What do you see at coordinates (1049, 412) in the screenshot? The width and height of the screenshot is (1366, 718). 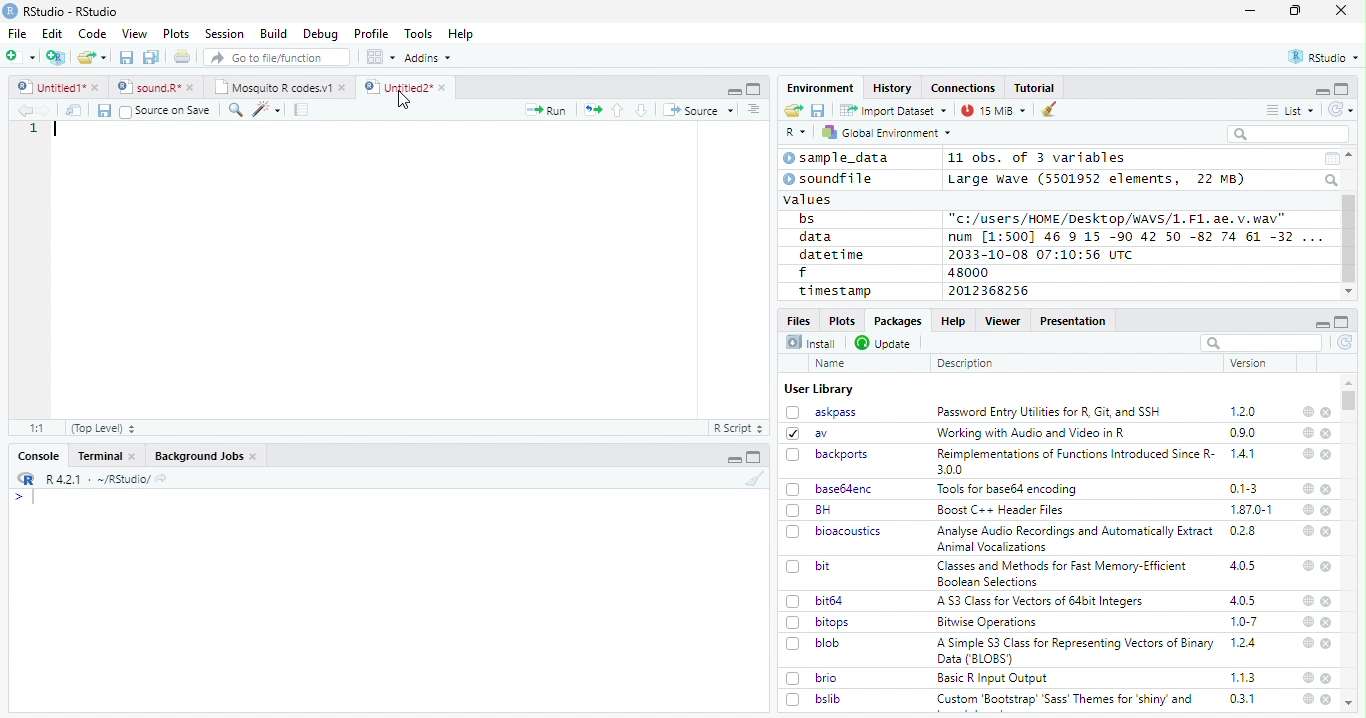 I see `Password Entry Utilities for R, Git, and SSH` at bounding box center [1049, 412].